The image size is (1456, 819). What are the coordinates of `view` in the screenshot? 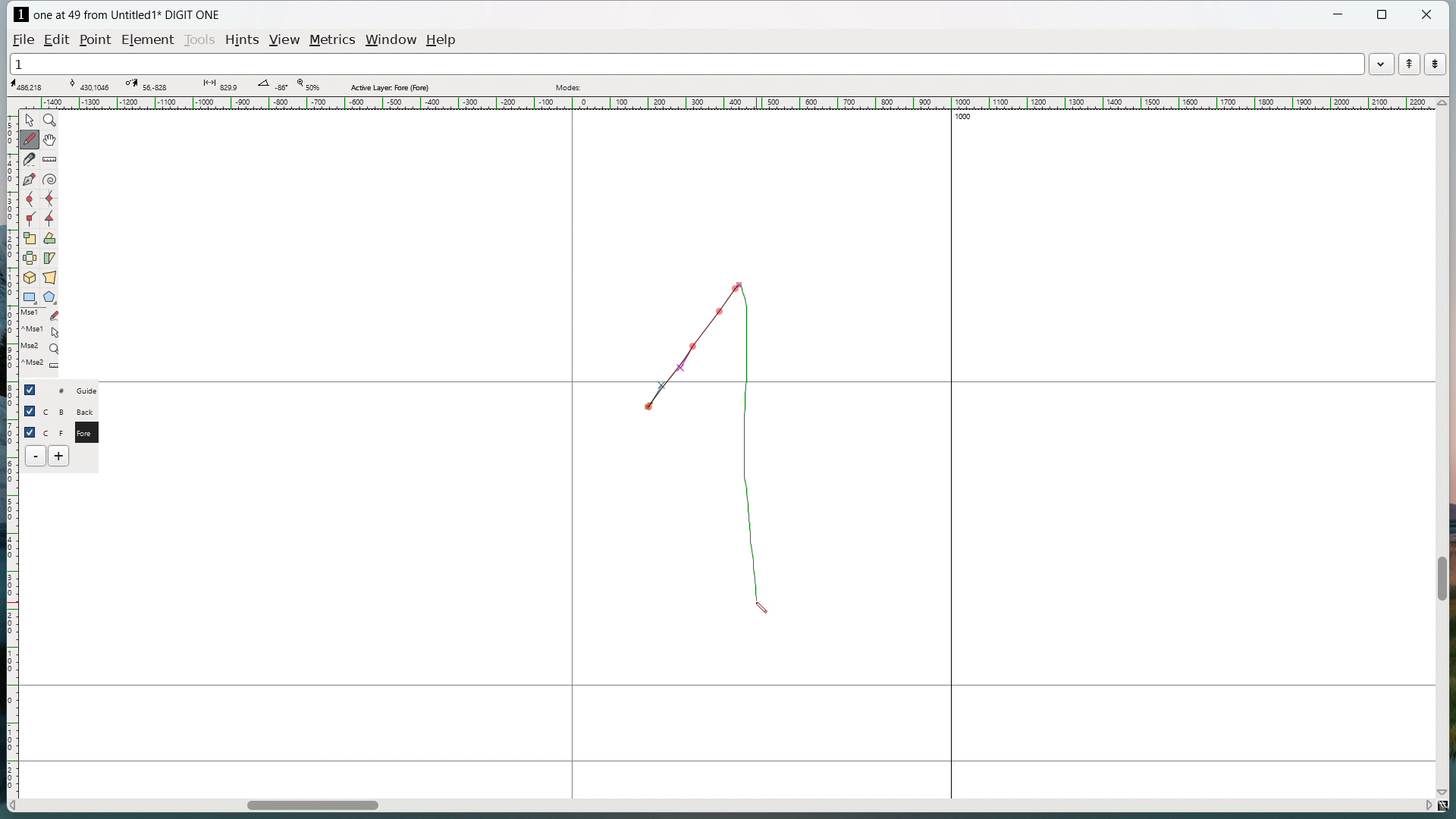 It's located at (286, 40).